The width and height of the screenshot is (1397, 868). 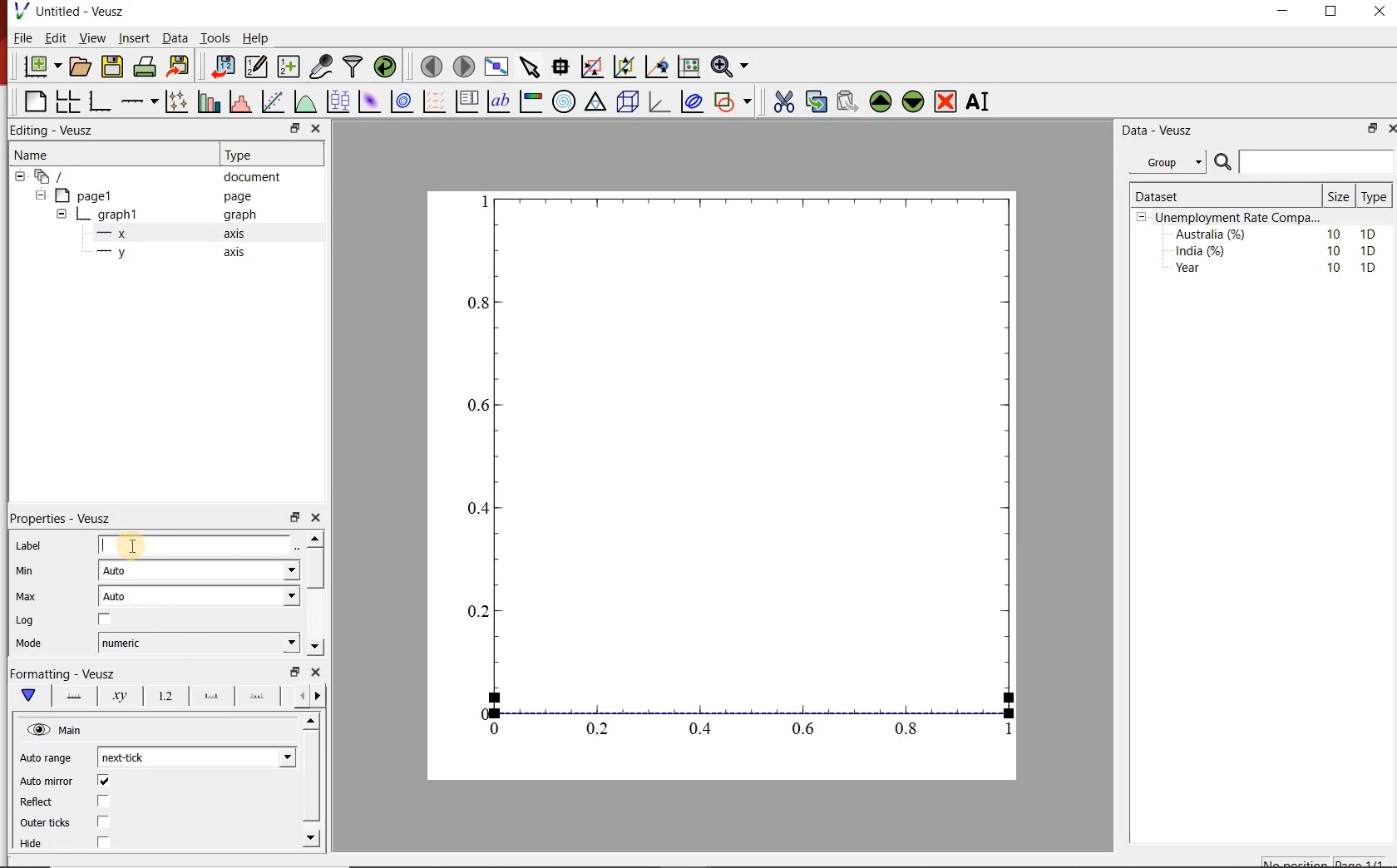 I want to click on main, so click(x=32, y=696).